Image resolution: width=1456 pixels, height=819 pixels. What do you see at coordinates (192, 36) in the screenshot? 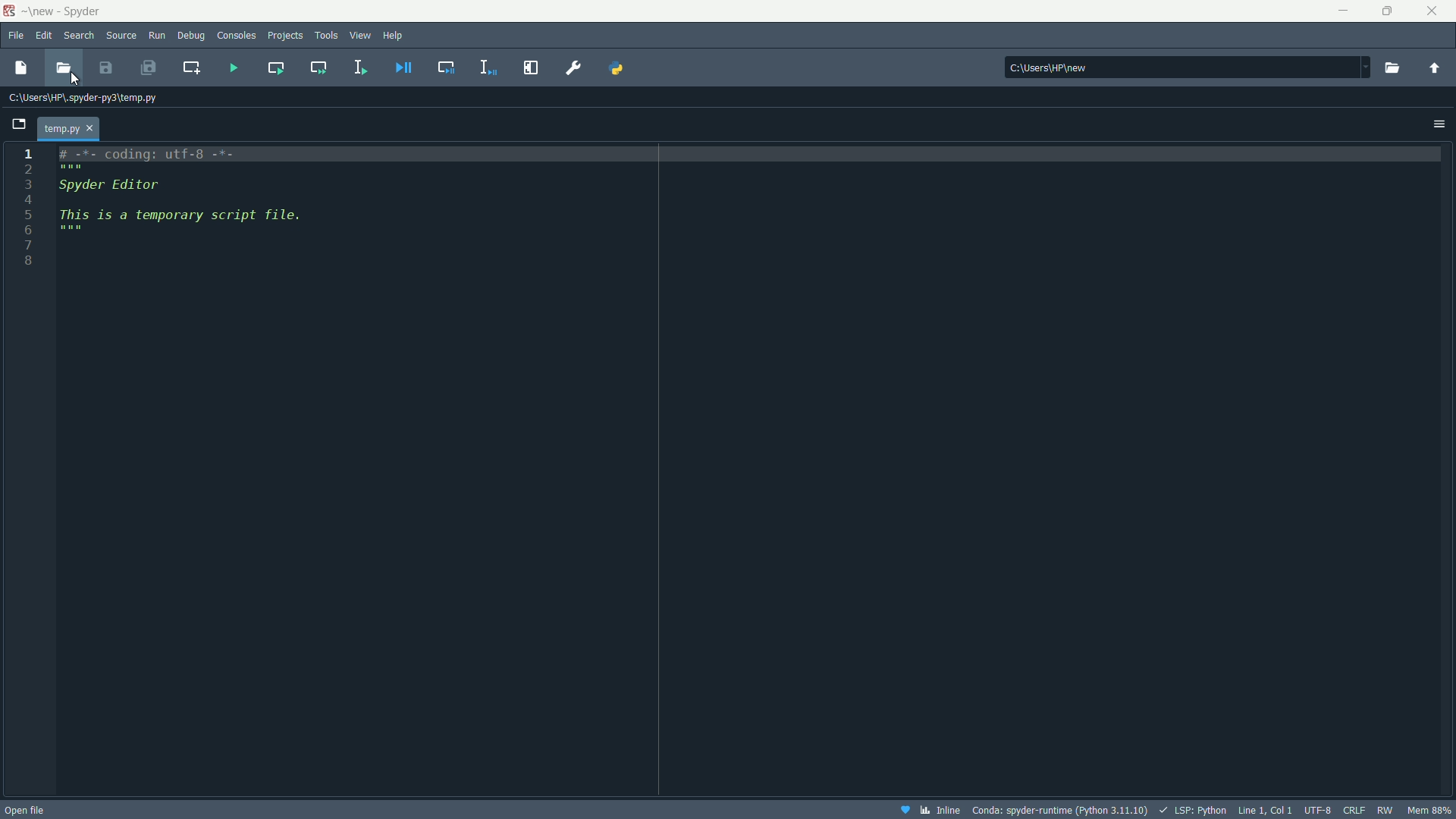
I see `Debug menu` at bounding box center [192, 36].